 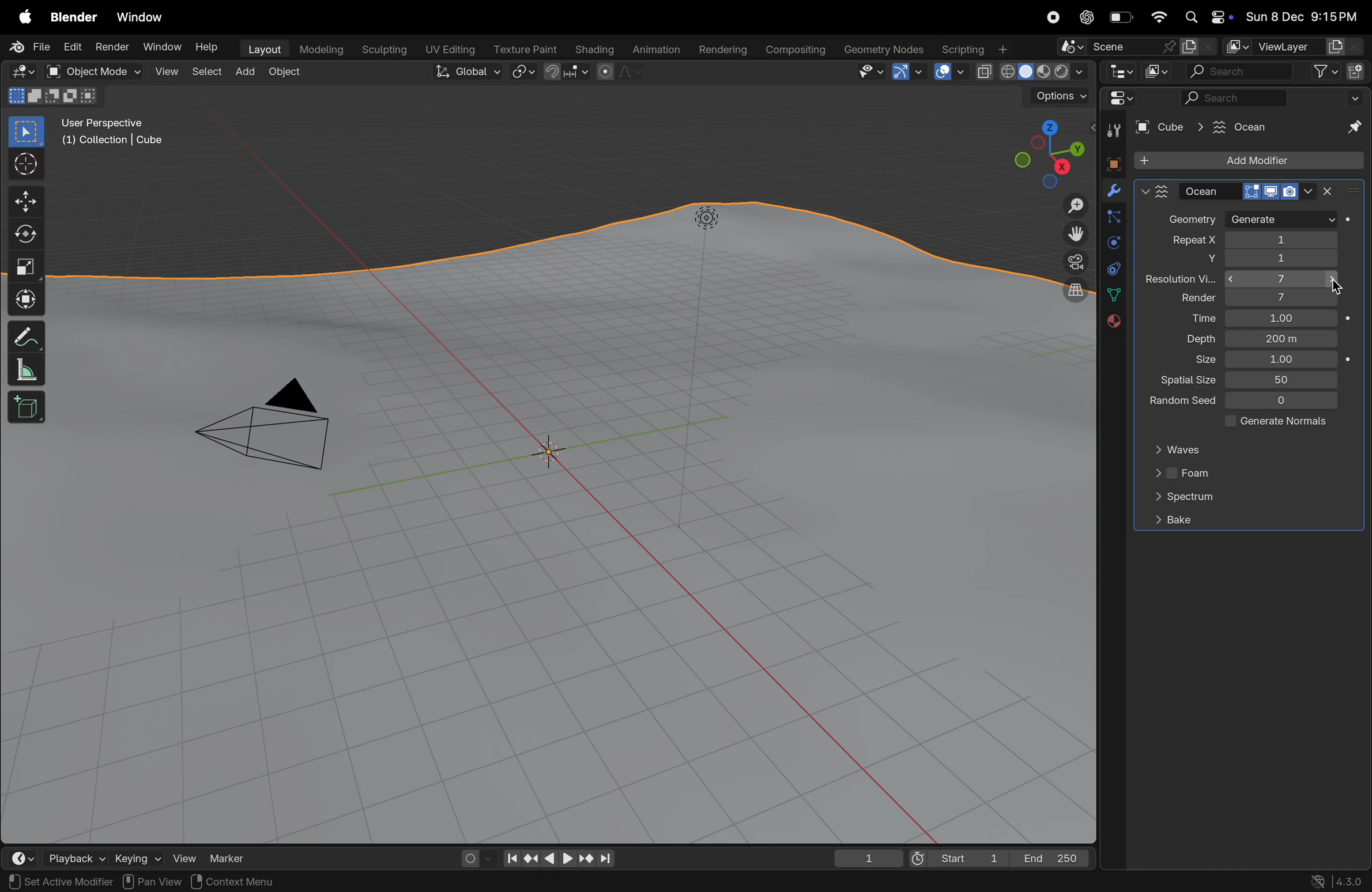 I want to click on 7, so click(x=1284, y=281).